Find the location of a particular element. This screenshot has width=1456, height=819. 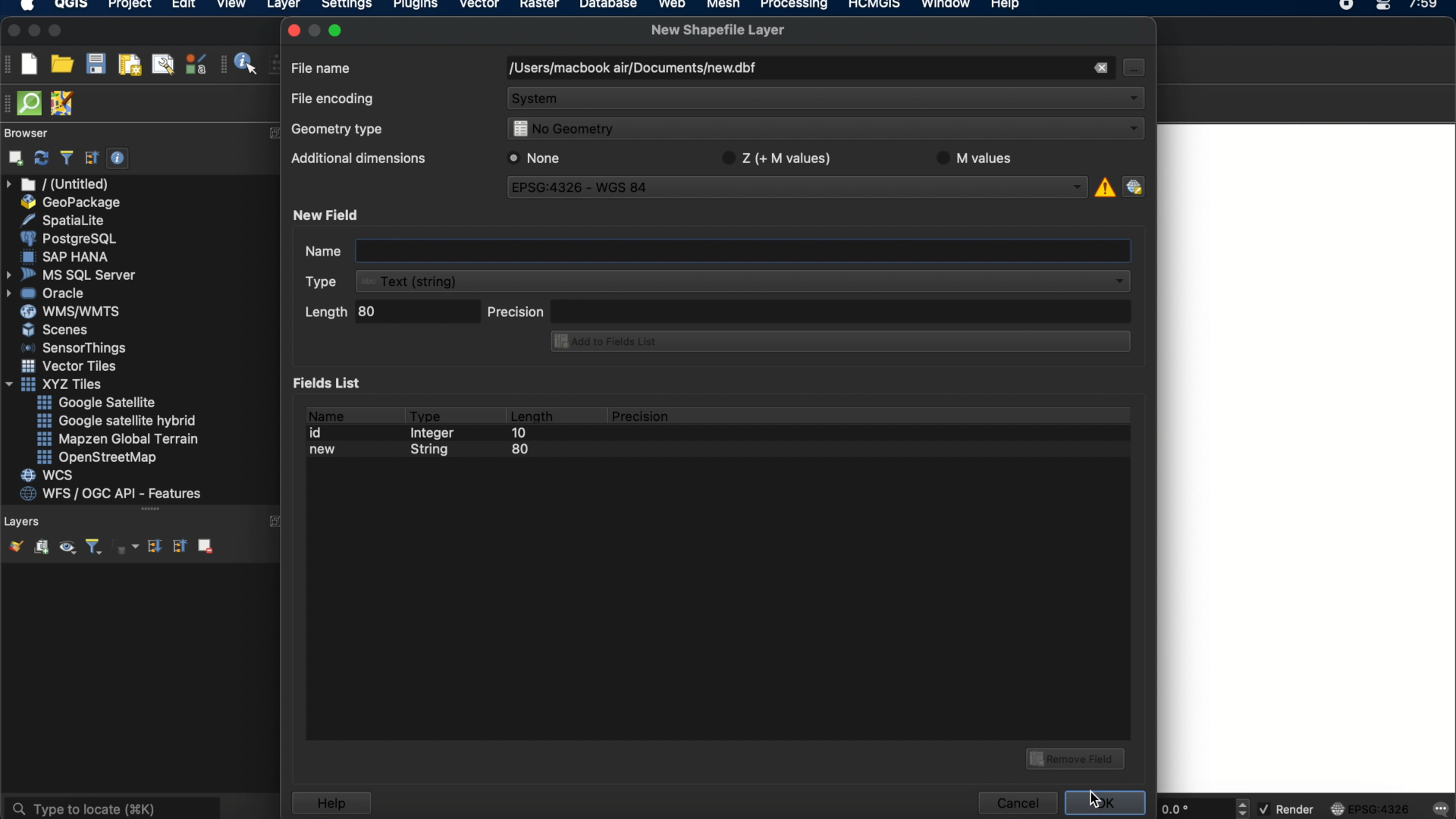

spatiallite is located at coordinates (66, 220).